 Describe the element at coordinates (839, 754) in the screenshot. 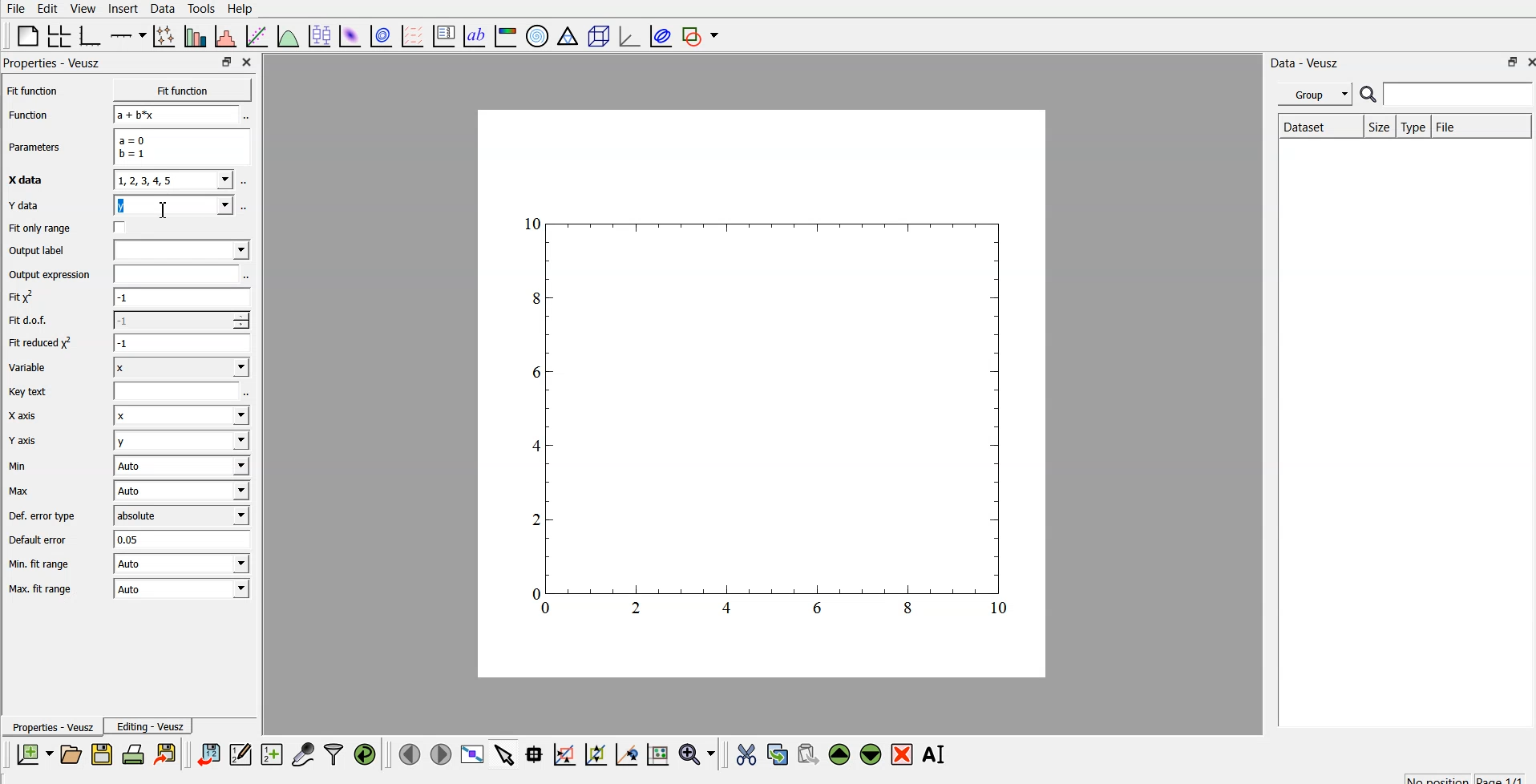

I see `move up the selected widget` at that location.